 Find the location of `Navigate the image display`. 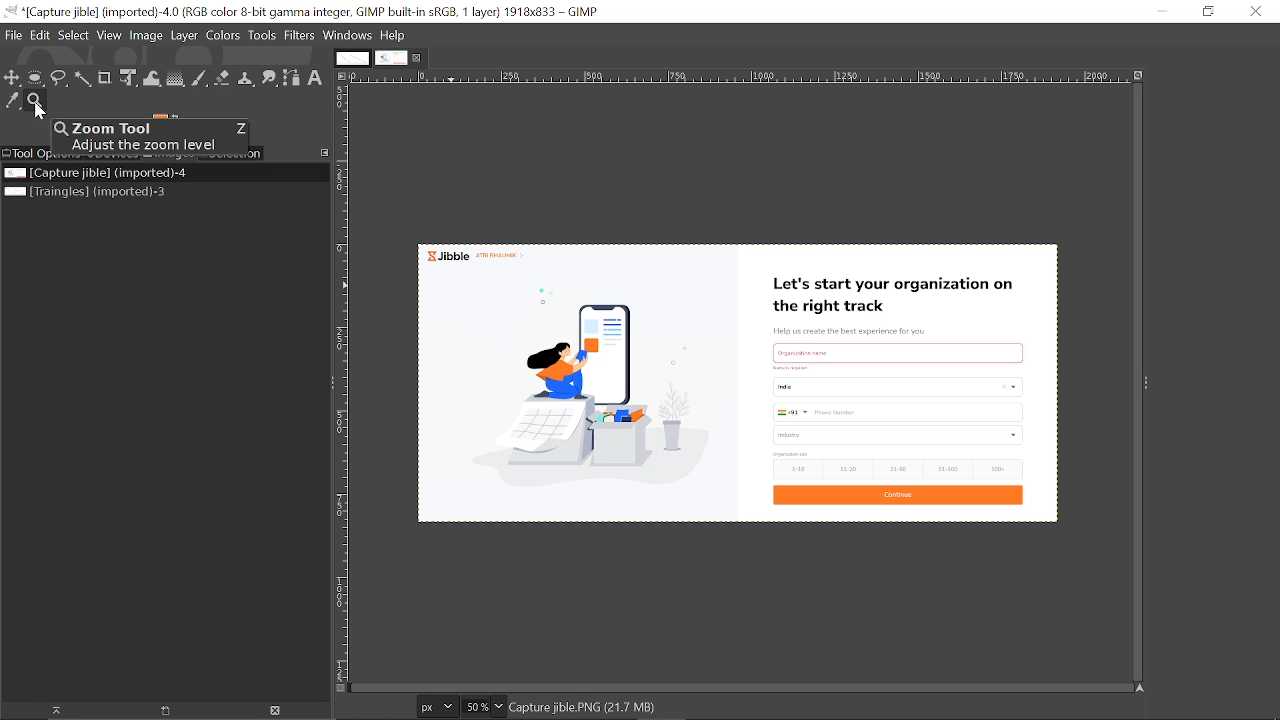

Navigate the image display is located at coordinates (1141, 689).